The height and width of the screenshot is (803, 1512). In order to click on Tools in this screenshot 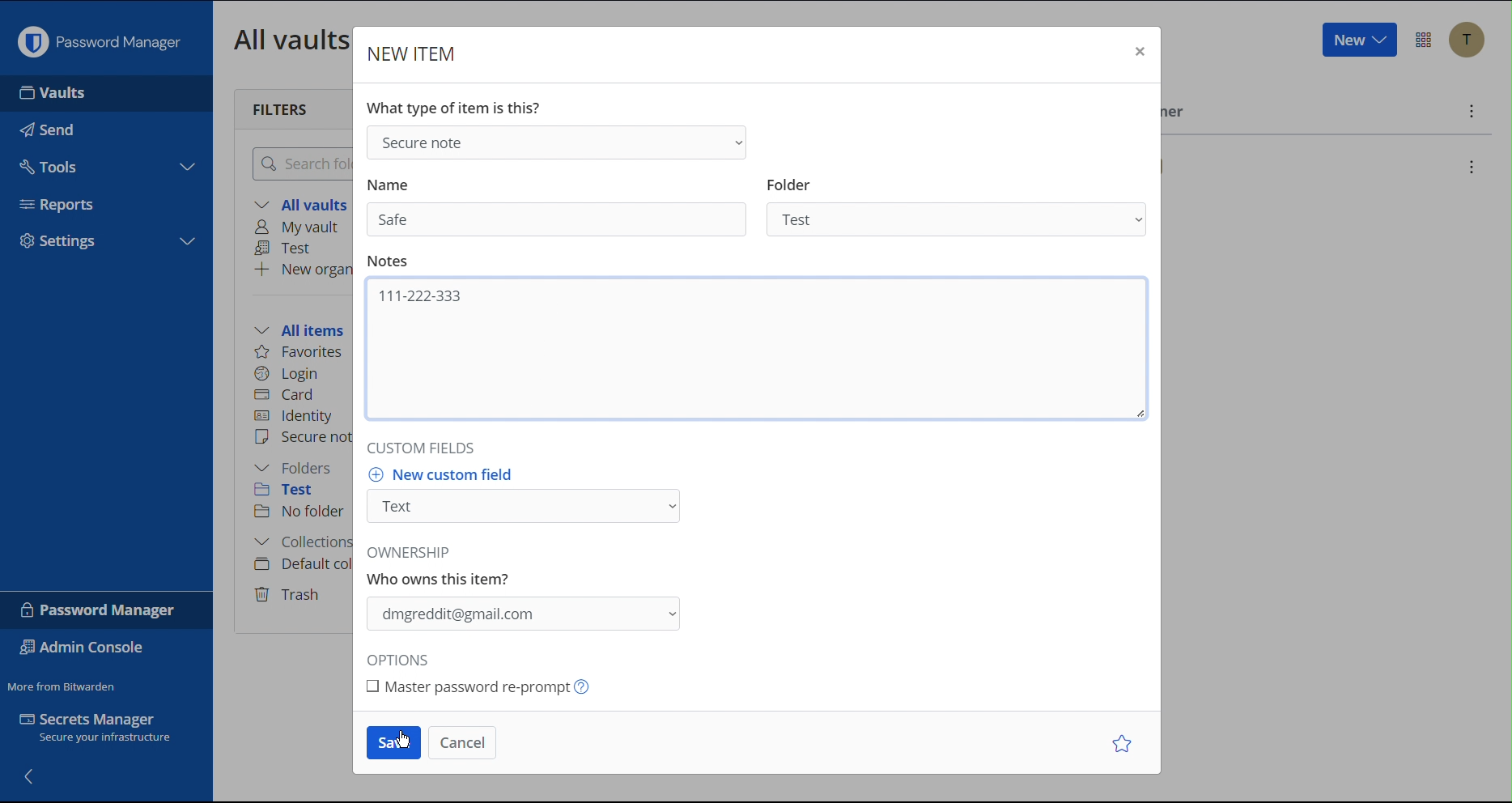, I will do `click(50, 163)`.